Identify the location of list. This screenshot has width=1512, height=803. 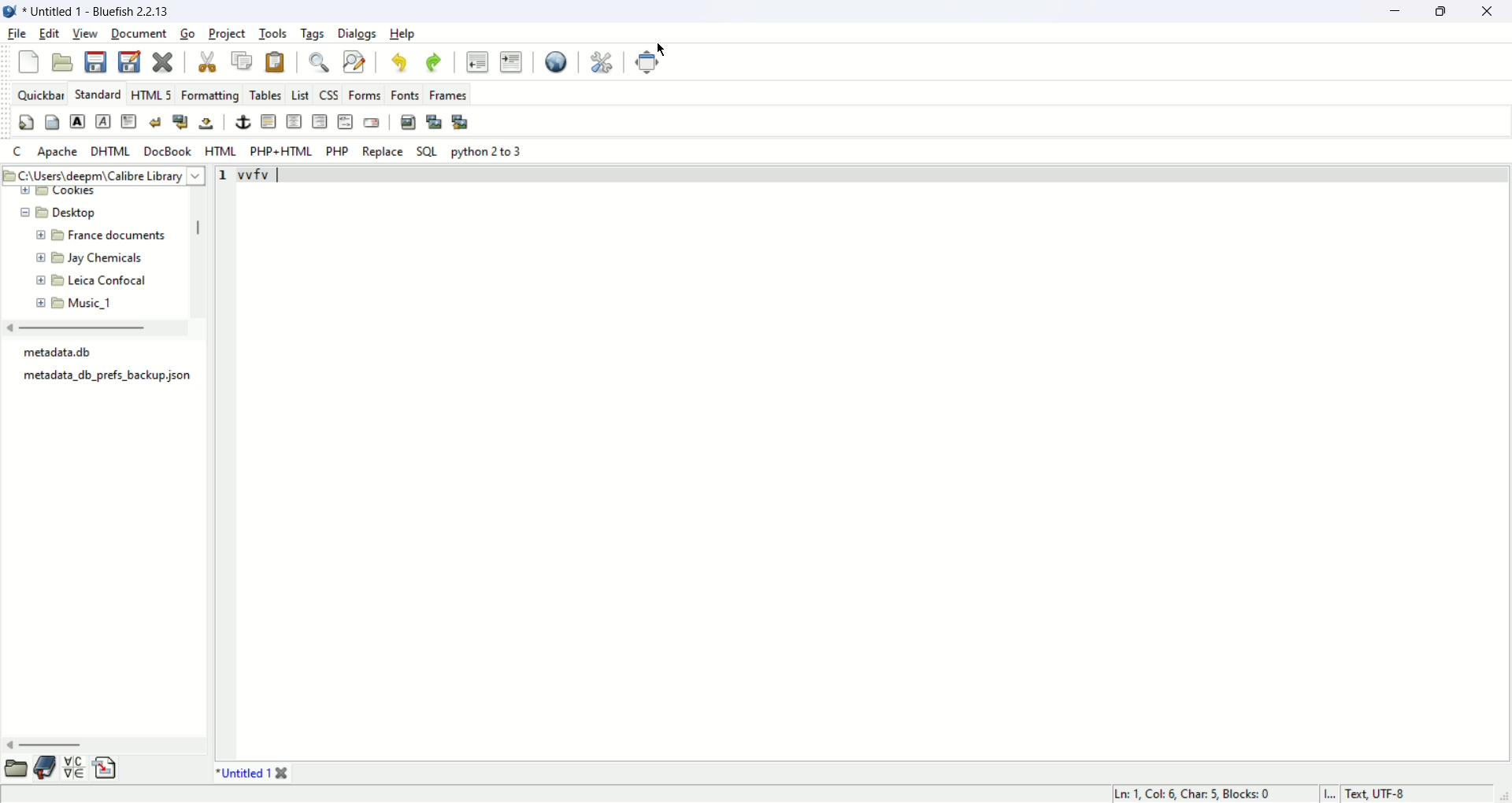
(301, 91).